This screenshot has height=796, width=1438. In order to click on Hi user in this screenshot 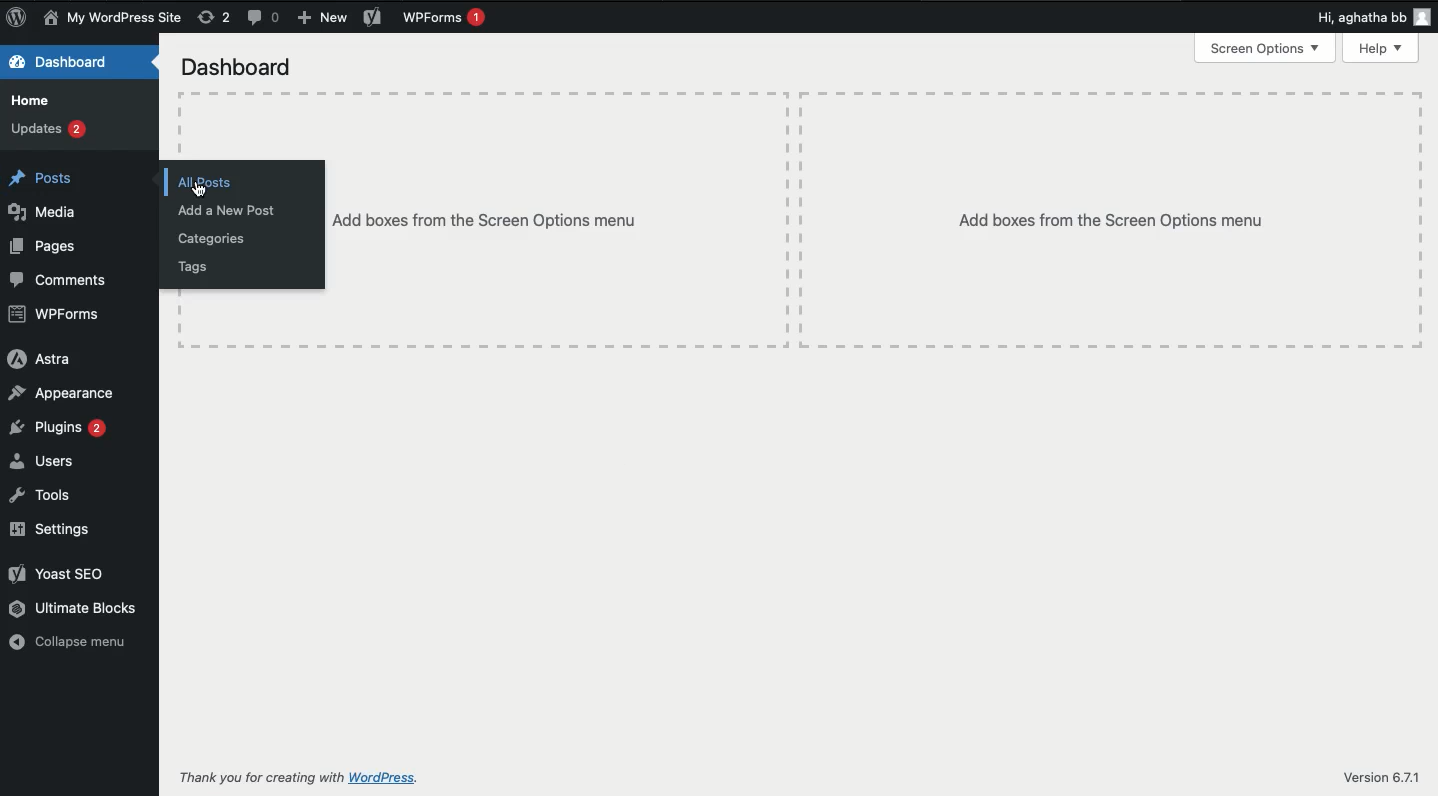, I will do `click(1370, 17)`.